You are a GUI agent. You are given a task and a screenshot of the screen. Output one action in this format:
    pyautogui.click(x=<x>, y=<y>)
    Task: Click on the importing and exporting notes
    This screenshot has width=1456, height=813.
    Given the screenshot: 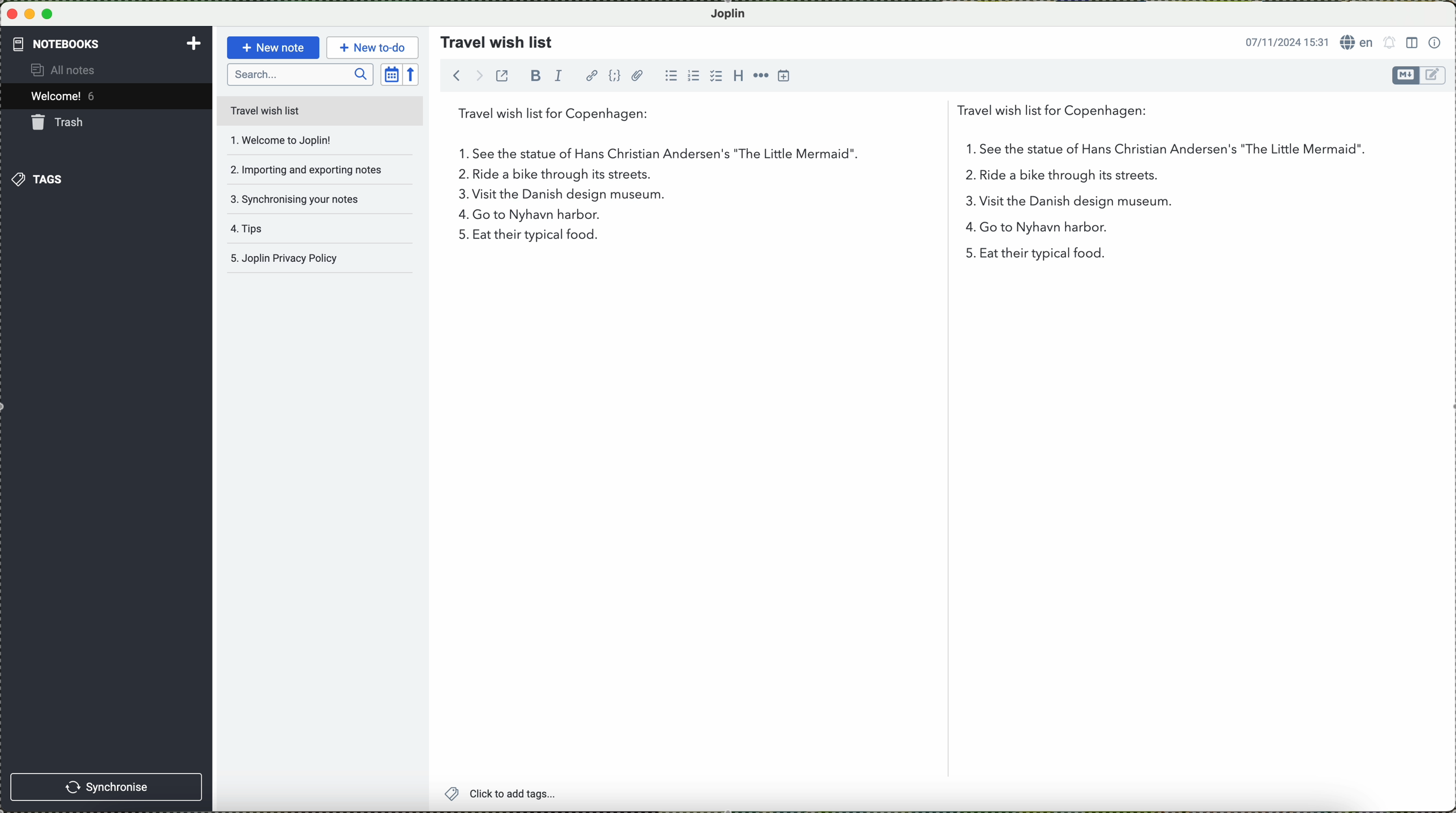 What is the action you would take?
    pyautogui.click(x=306, y=168)
    